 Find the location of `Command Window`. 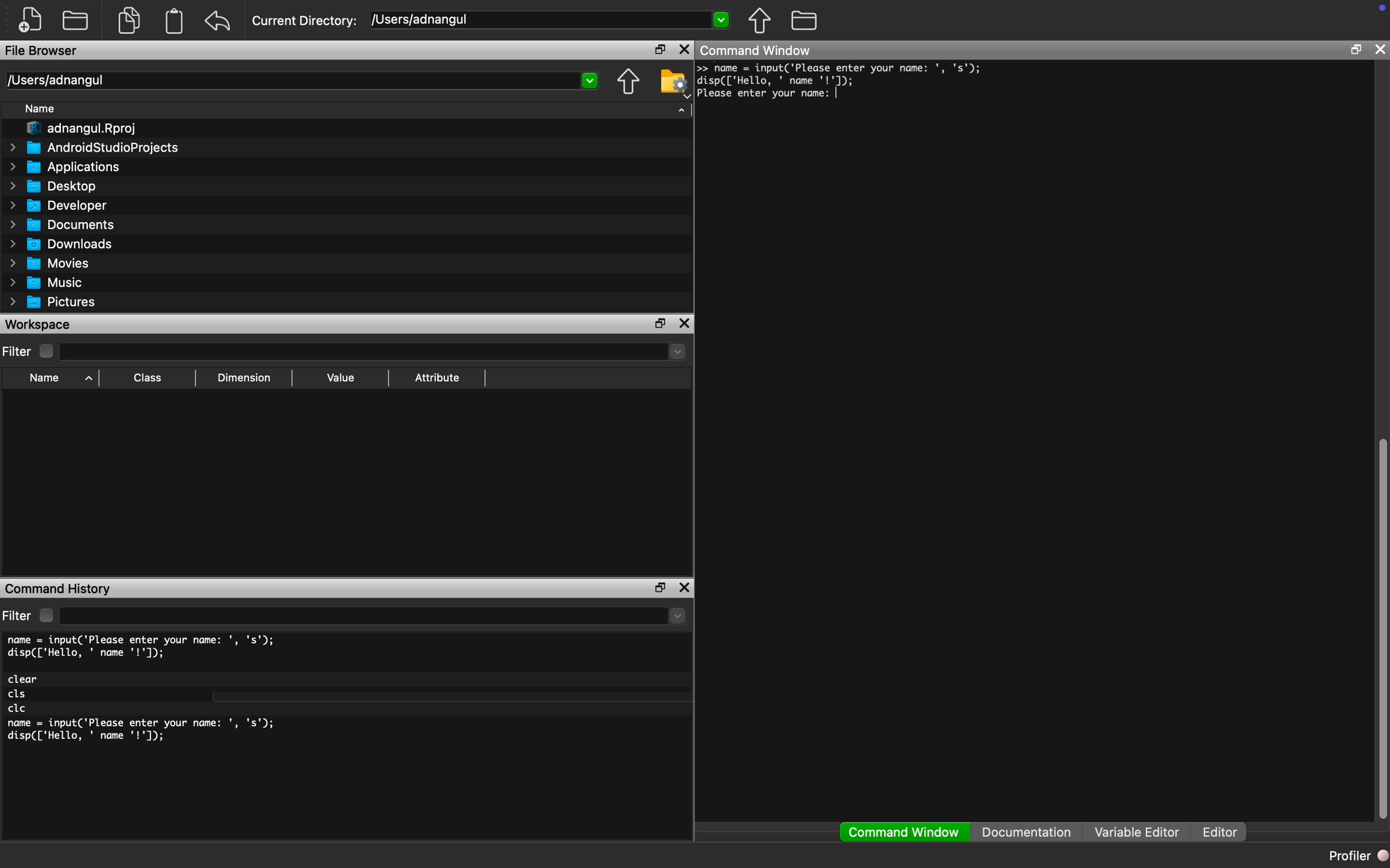

Command Window is located at coordinates (905, 832).